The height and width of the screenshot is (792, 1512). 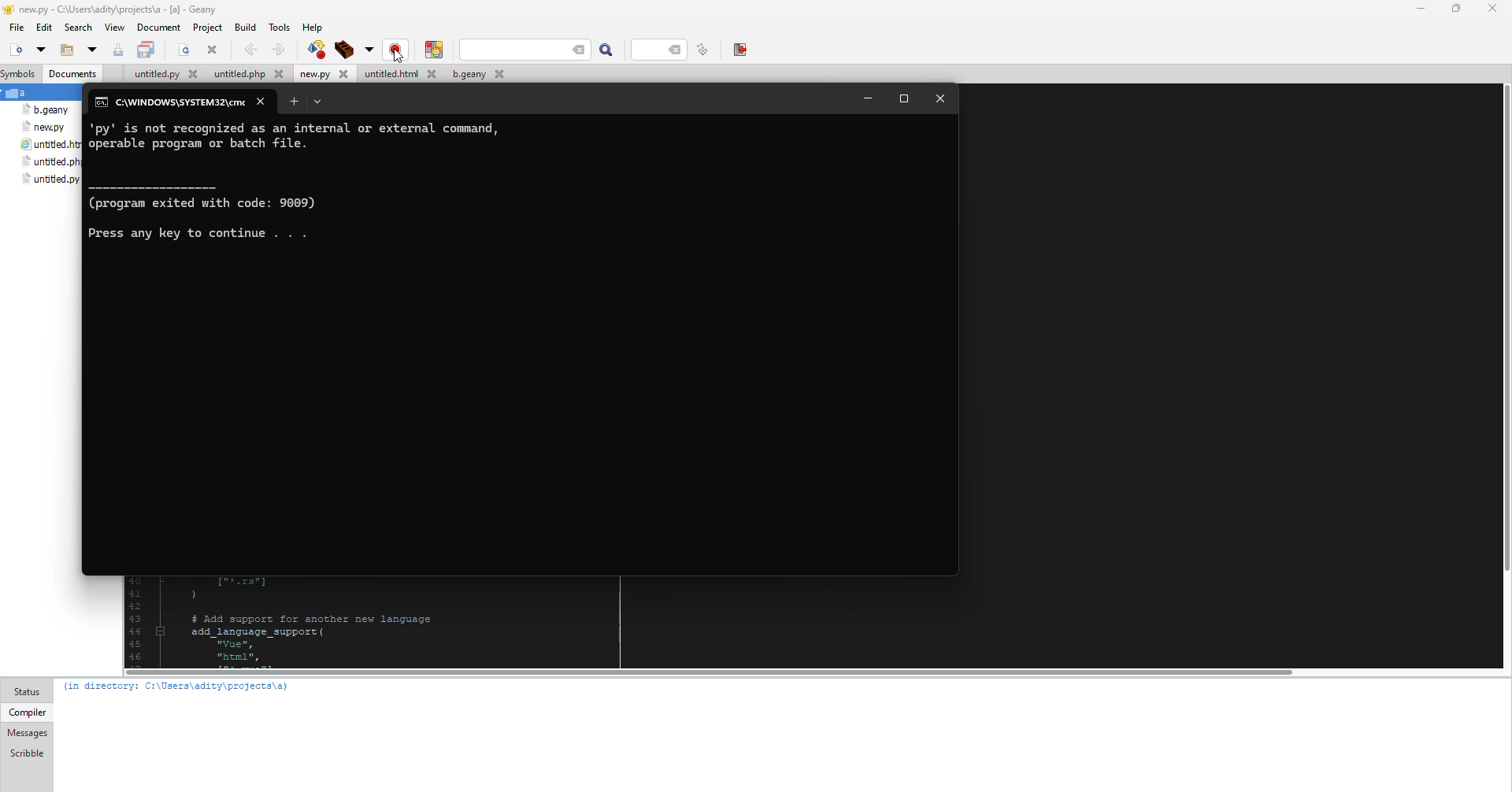 What do you see at coordinates (48, 111) in the screenshot?
I see `file` at bounding box center [48, 111].